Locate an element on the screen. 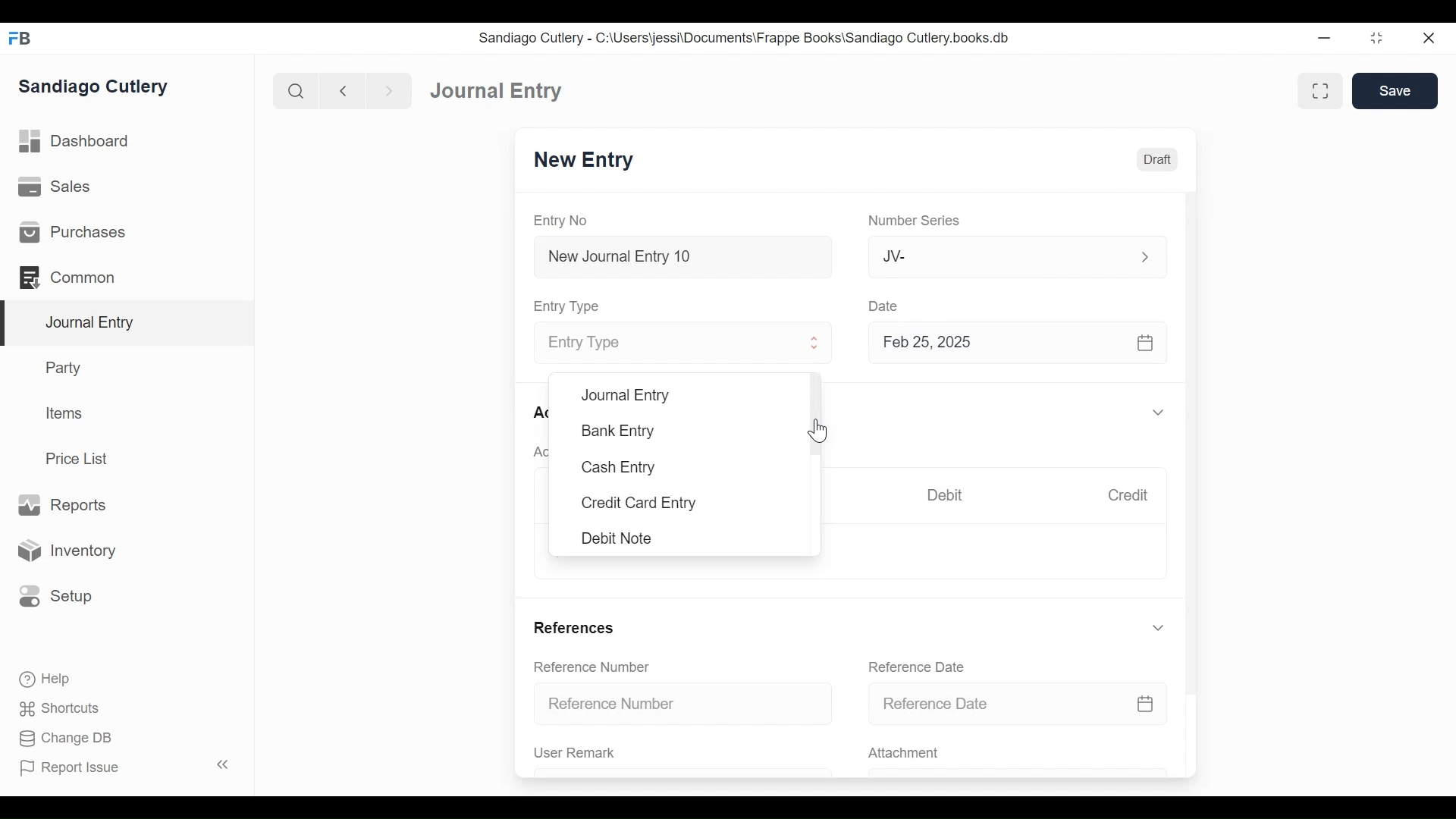 The height and width of the screenshot is (819, 1456). Sales is located at coordinates (53, 188).